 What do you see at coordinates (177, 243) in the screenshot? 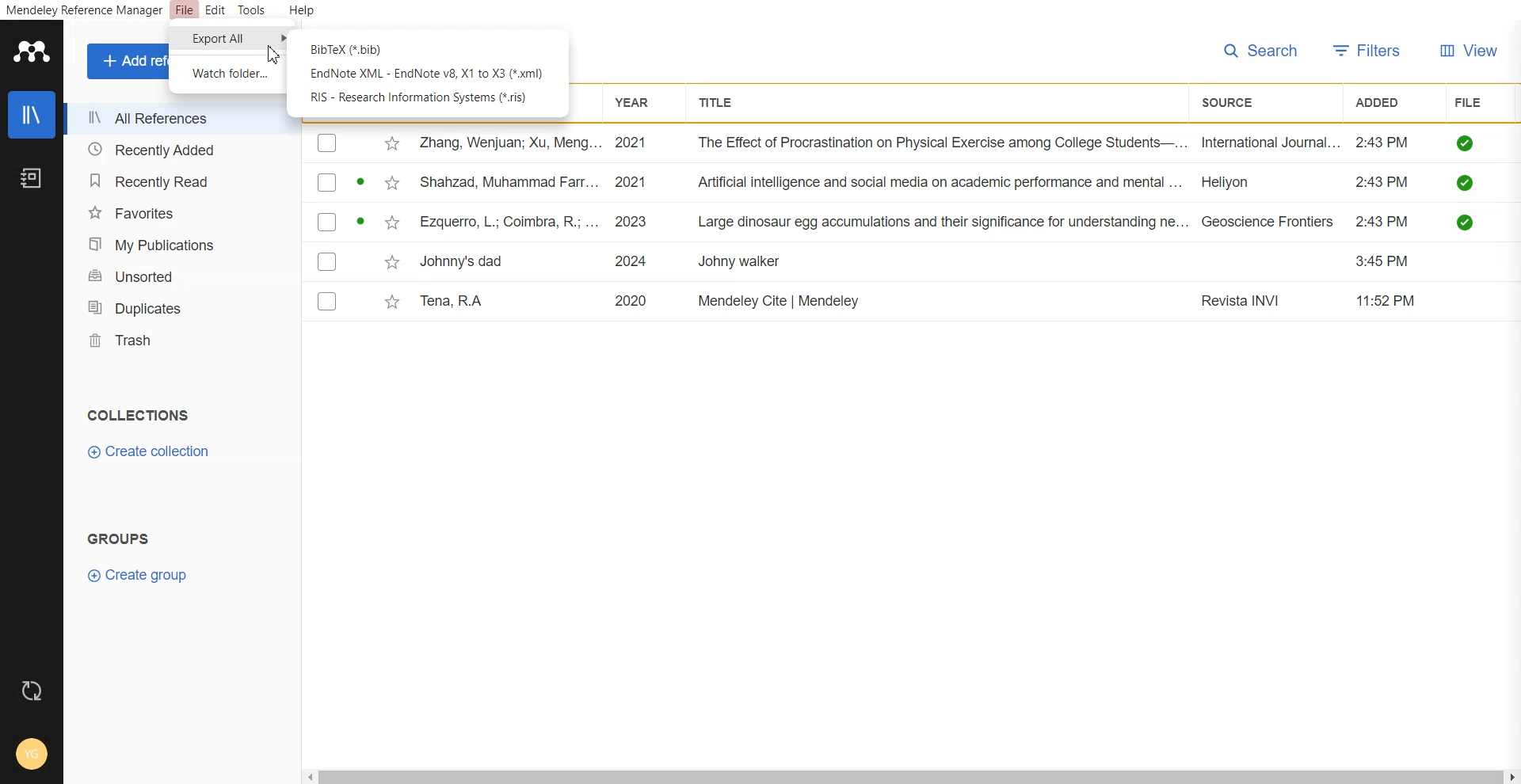
I see `My Publication` at bounding box center [177, 243].